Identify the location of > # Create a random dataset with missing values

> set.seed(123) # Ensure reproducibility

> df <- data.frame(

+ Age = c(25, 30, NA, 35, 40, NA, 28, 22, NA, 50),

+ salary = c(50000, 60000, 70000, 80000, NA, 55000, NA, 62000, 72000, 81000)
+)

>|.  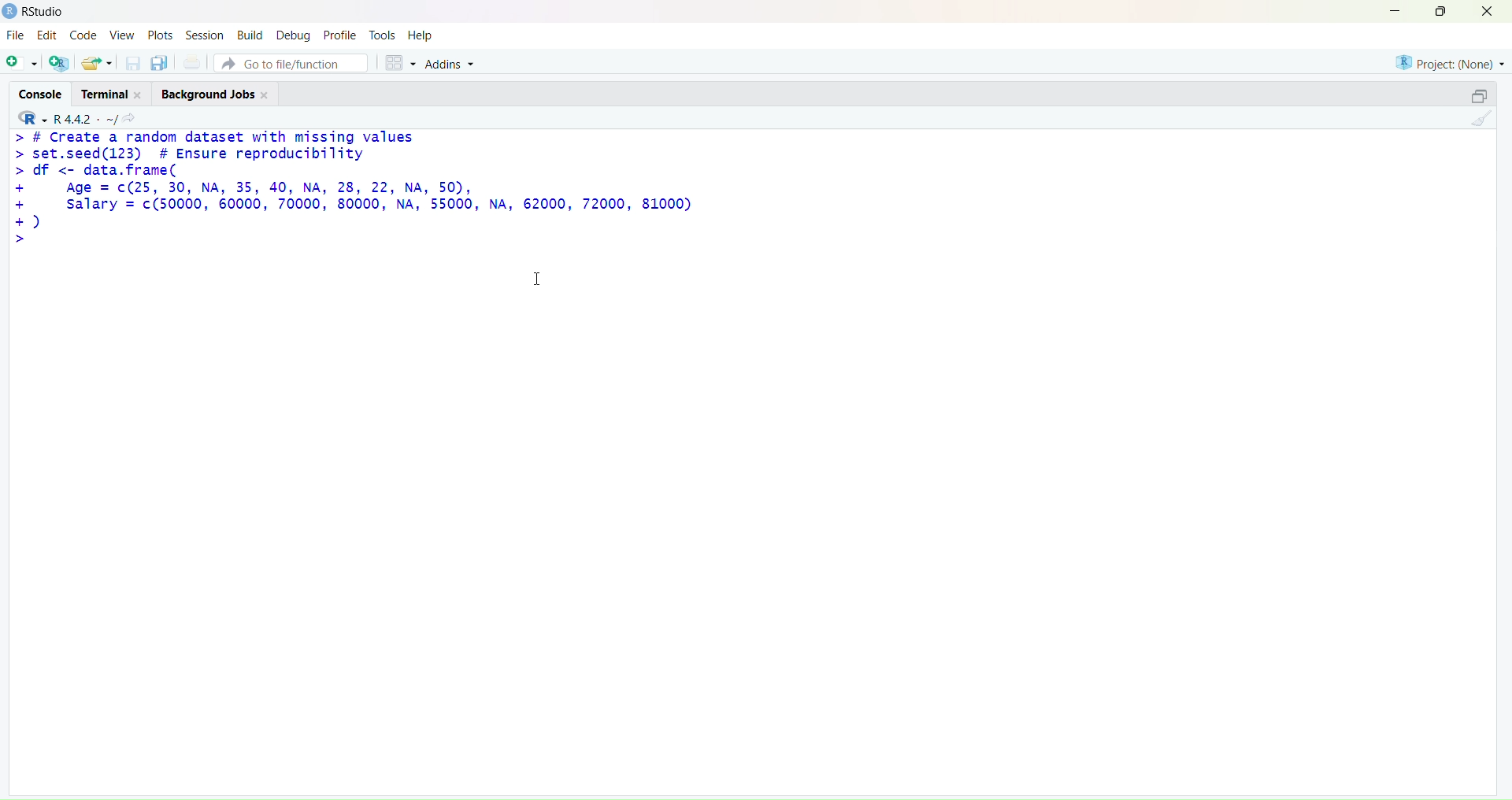
(393, 194).